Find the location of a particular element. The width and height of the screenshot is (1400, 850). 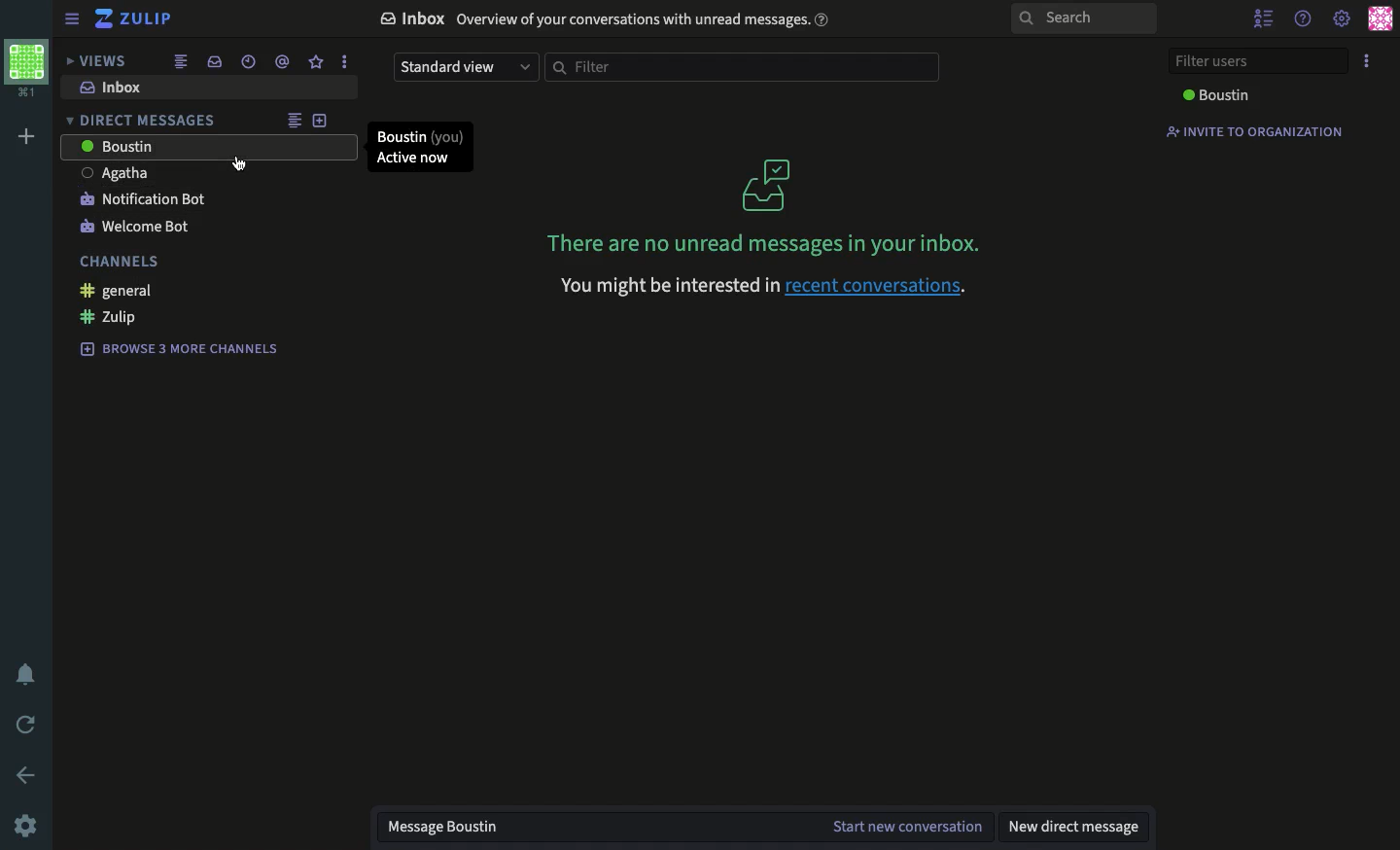

Boustin(You) is located at coordinates (421, 136).